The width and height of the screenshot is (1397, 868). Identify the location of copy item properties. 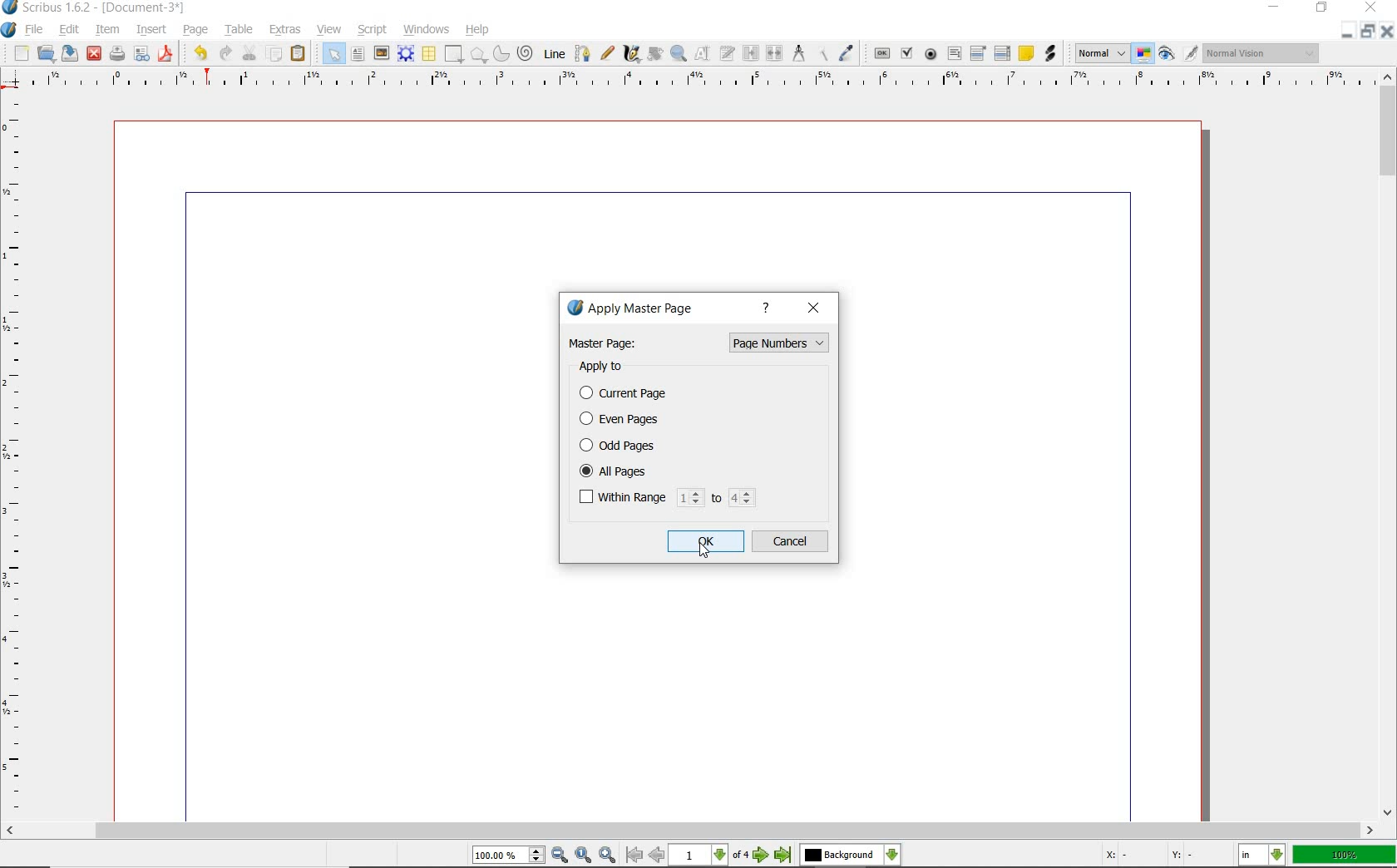
(822, 54).